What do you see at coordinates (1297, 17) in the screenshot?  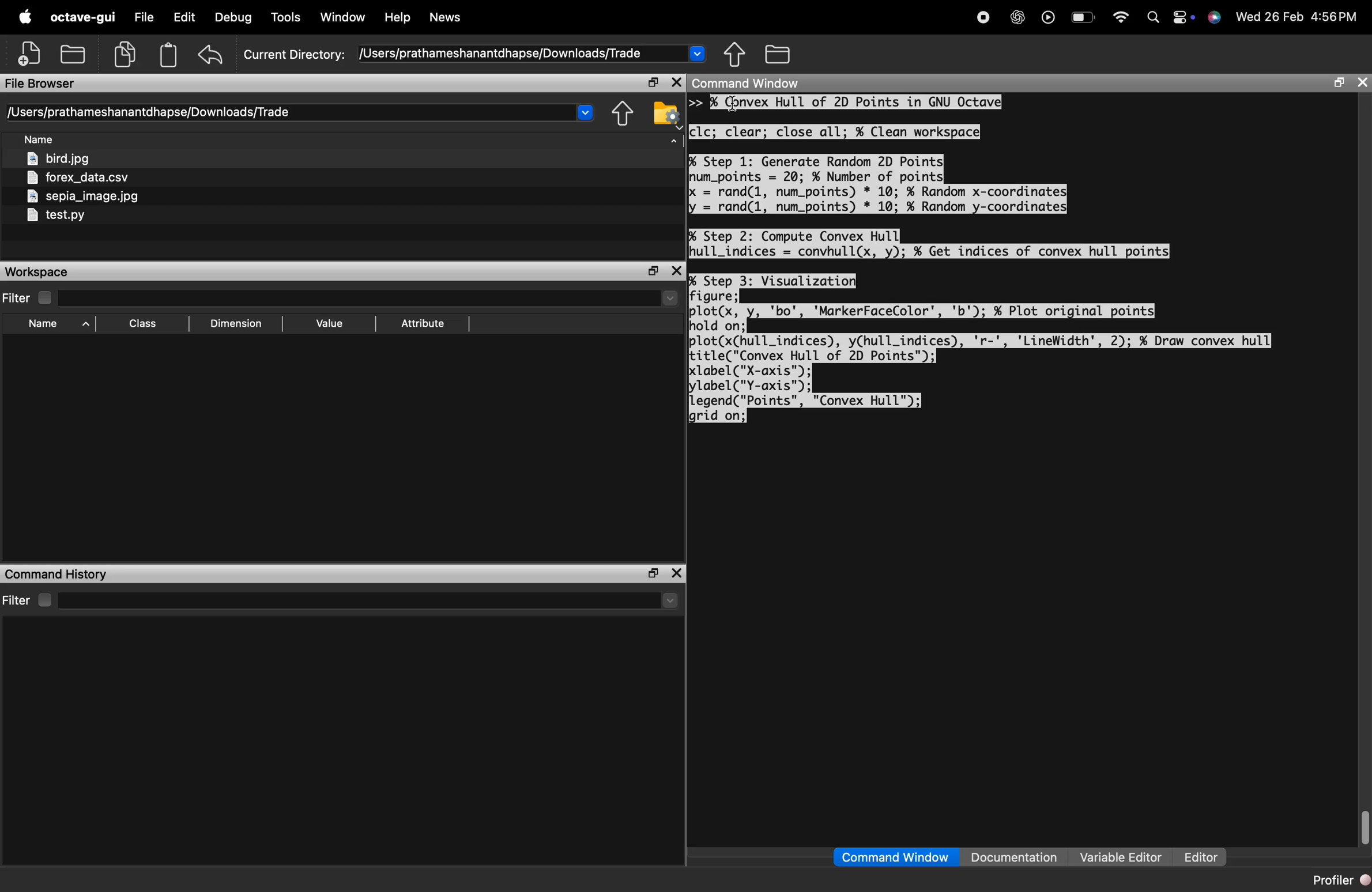 I see `Wed 26 Feb 4:56PM` at bounding box center [1297, 17].